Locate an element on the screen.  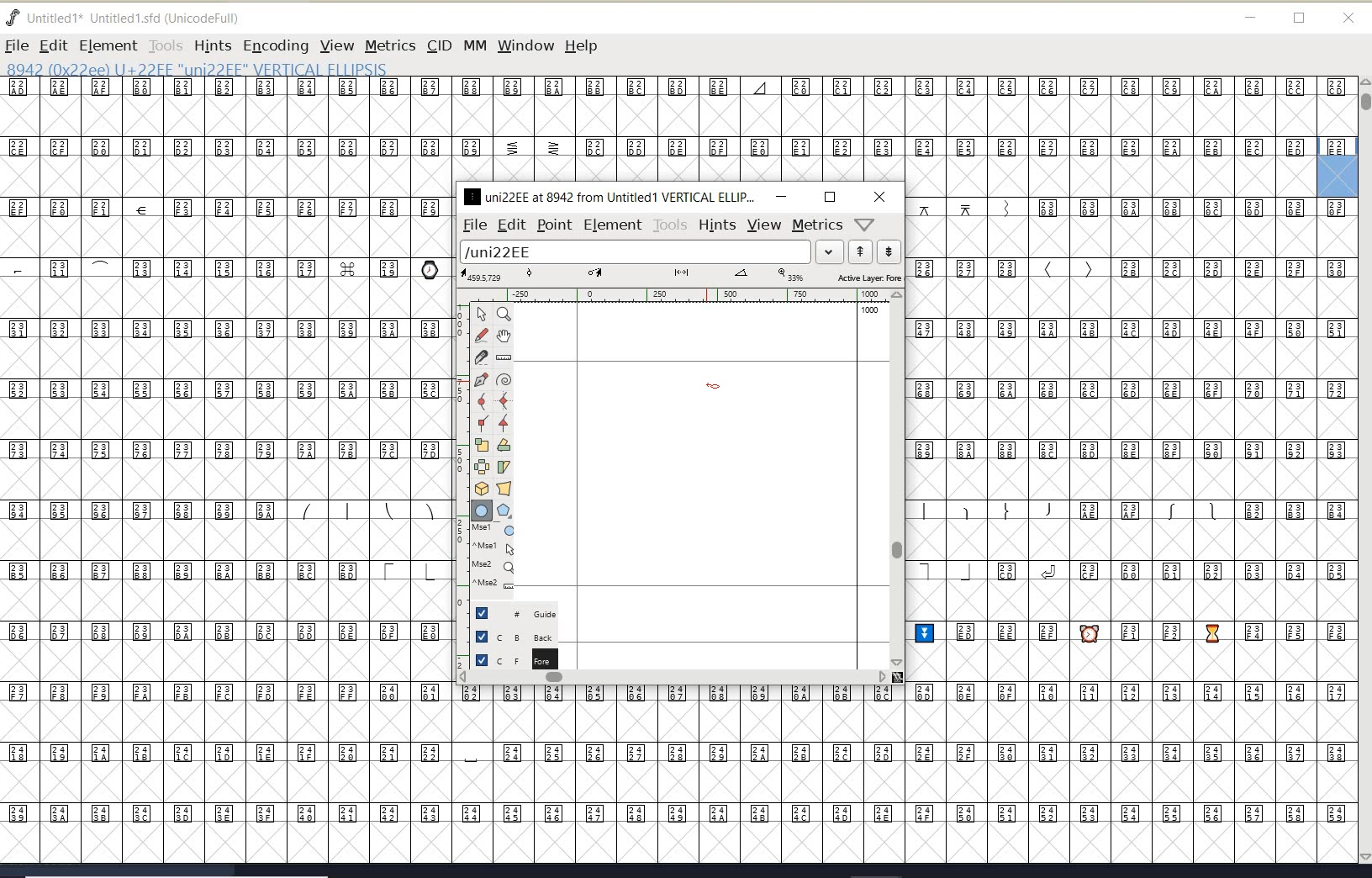
add a tangent point is located at coordinates (502, 420).